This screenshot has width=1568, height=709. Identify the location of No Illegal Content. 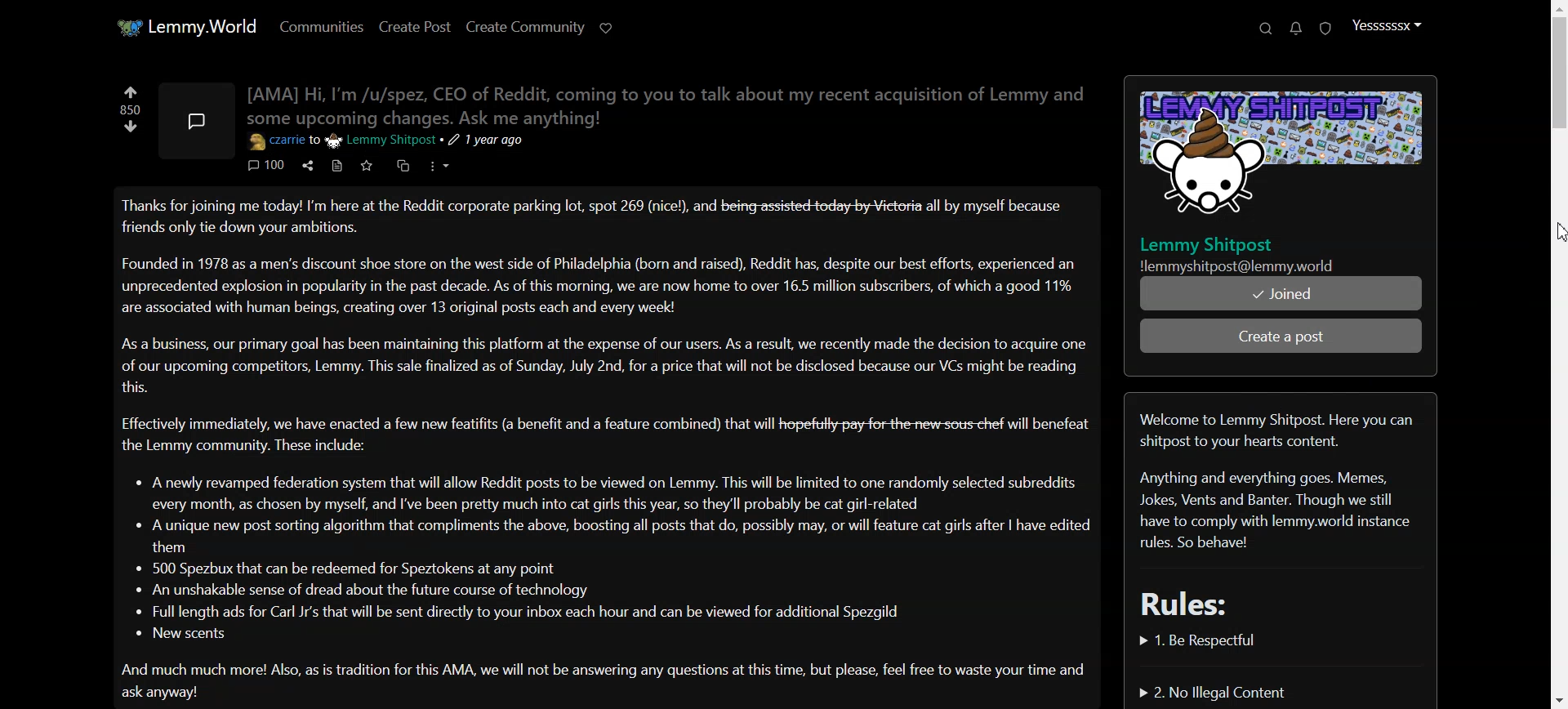
(1214, 691).